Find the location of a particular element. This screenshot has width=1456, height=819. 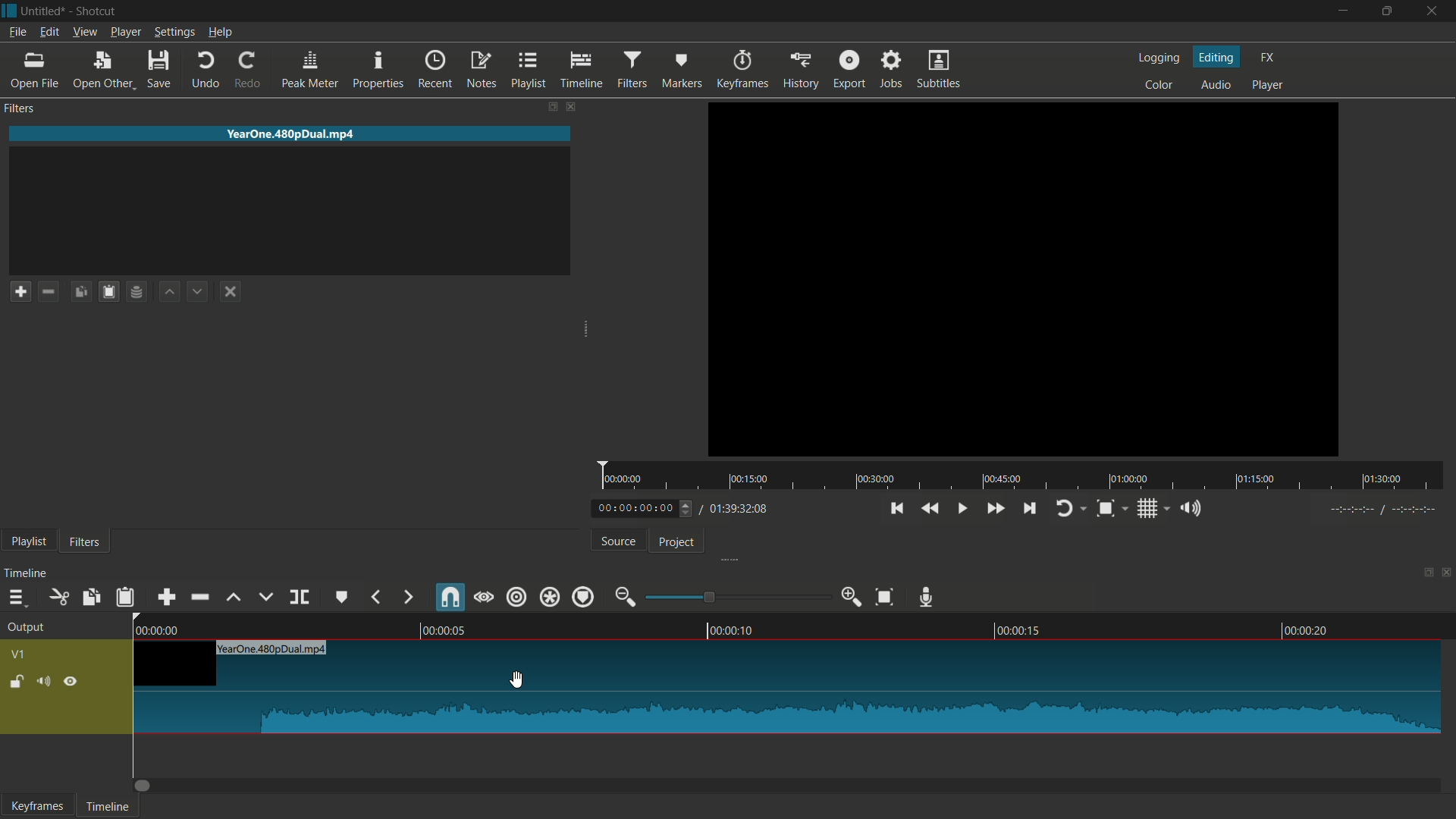

save filter set is located at coordinates (138, 292).